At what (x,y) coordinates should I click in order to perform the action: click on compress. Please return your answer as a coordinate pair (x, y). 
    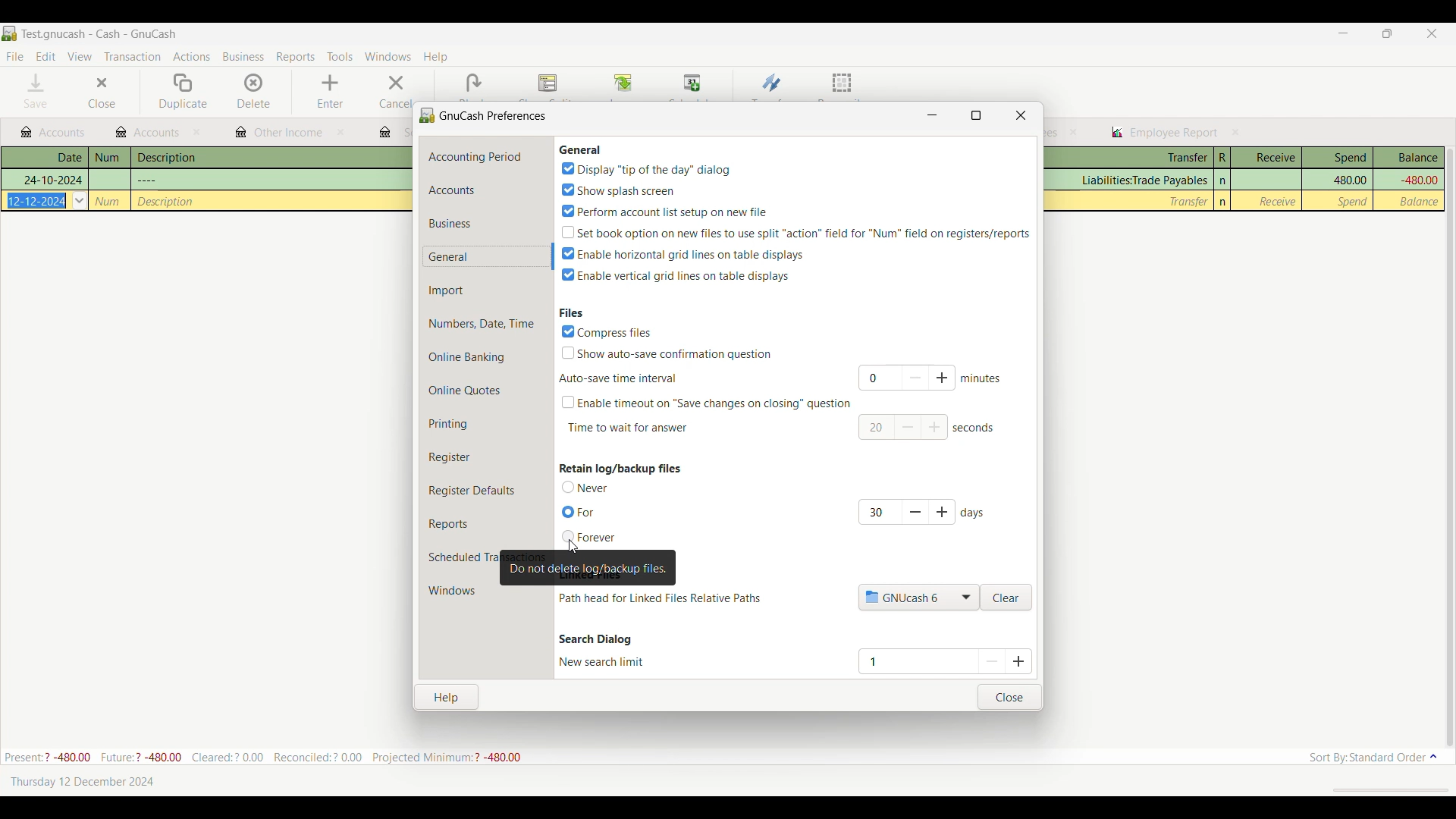
    Looking at the image, I should click on (608, 331).